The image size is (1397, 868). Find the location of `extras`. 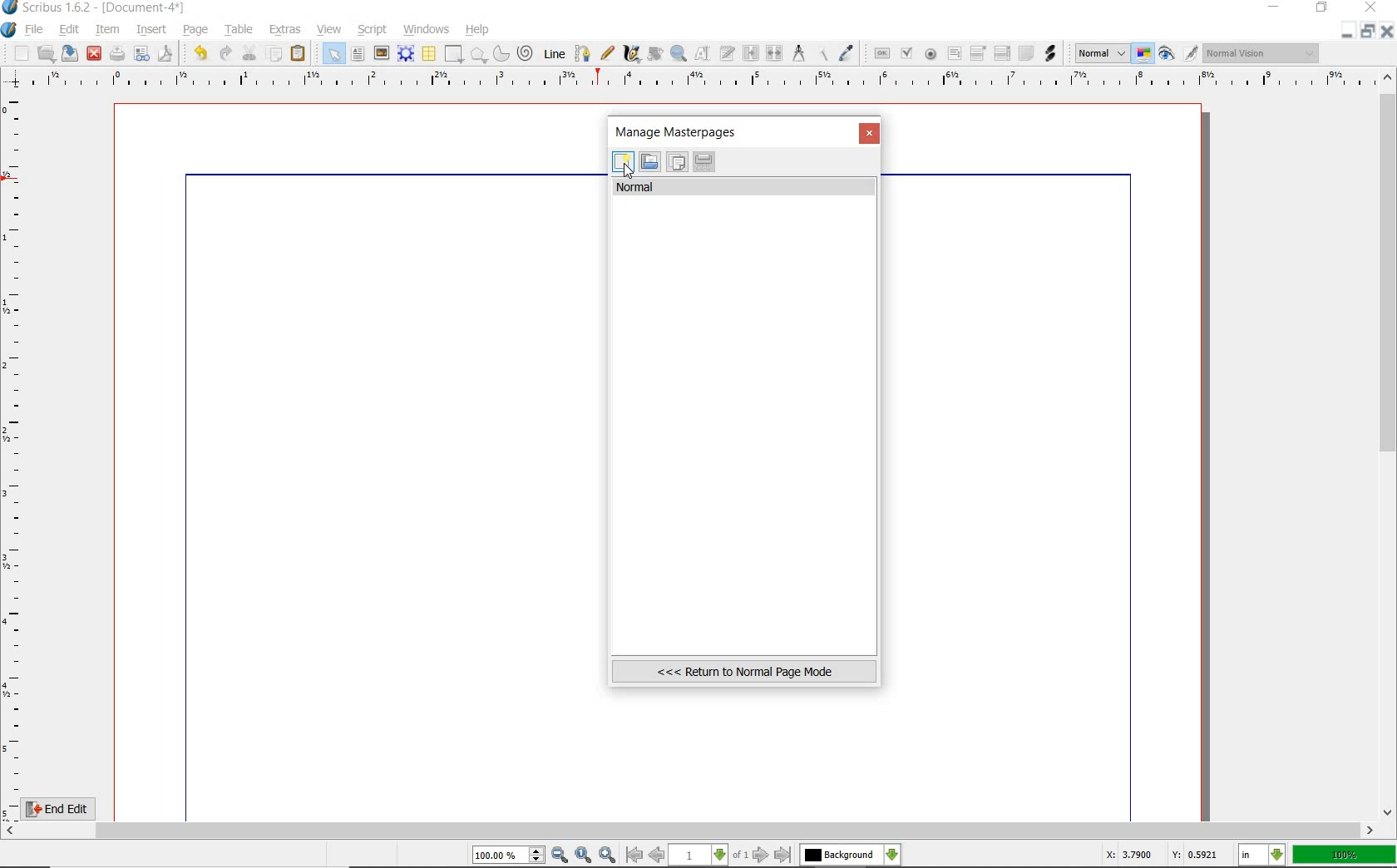

extras is located at coordinates (286, 30).